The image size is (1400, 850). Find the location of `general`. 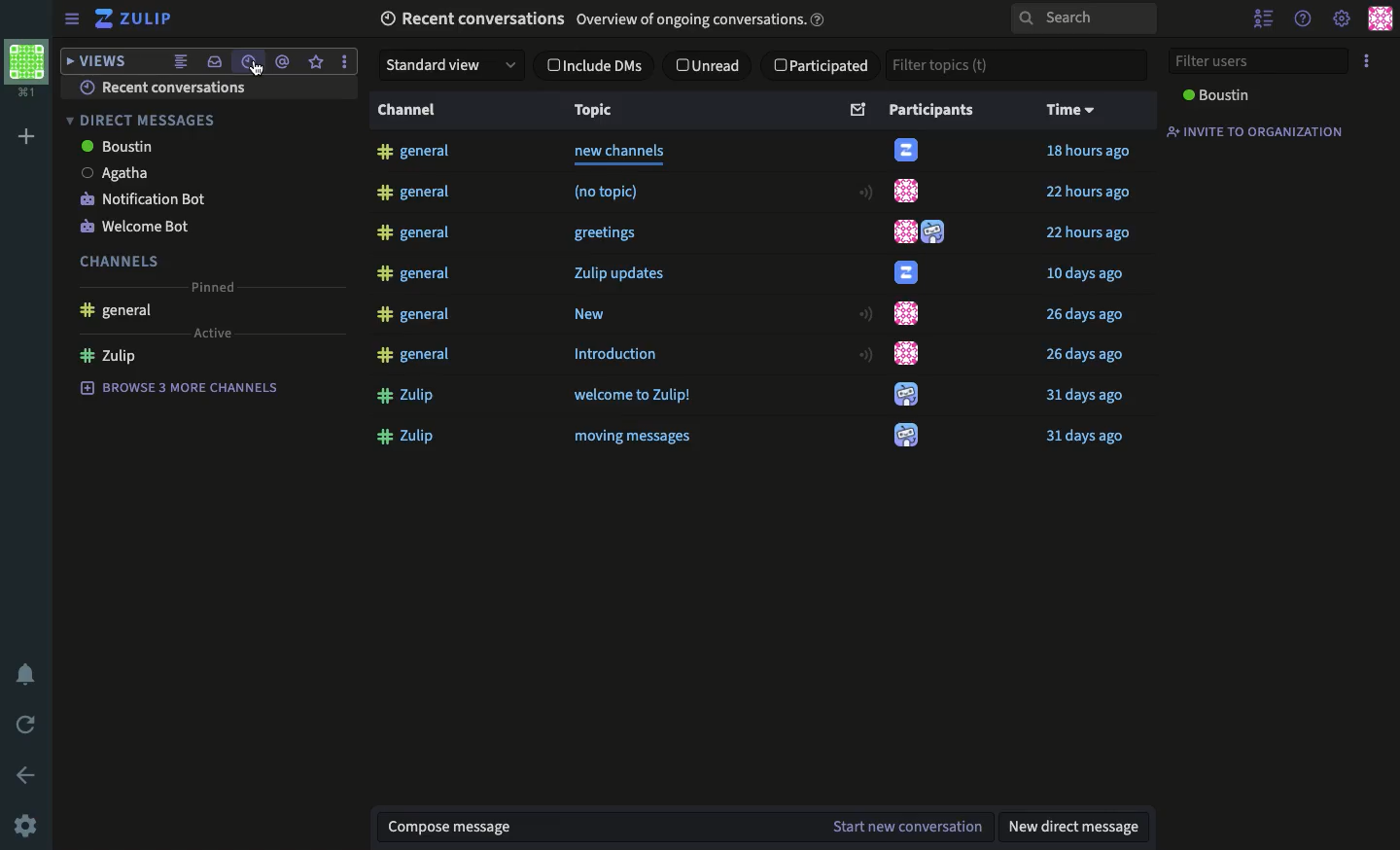

general is located at coordinates (417, 275).